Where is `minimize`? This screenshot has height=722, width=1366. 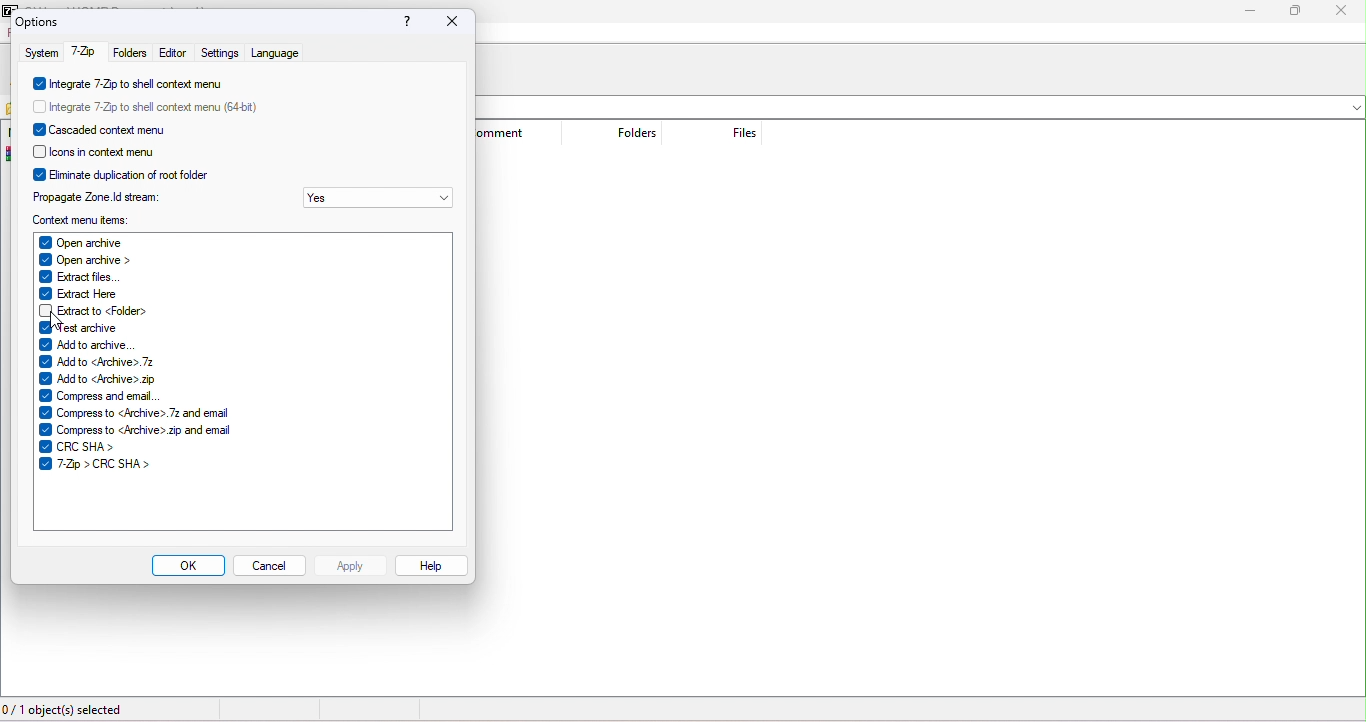
minimize is located at coordinates (1251, 12).